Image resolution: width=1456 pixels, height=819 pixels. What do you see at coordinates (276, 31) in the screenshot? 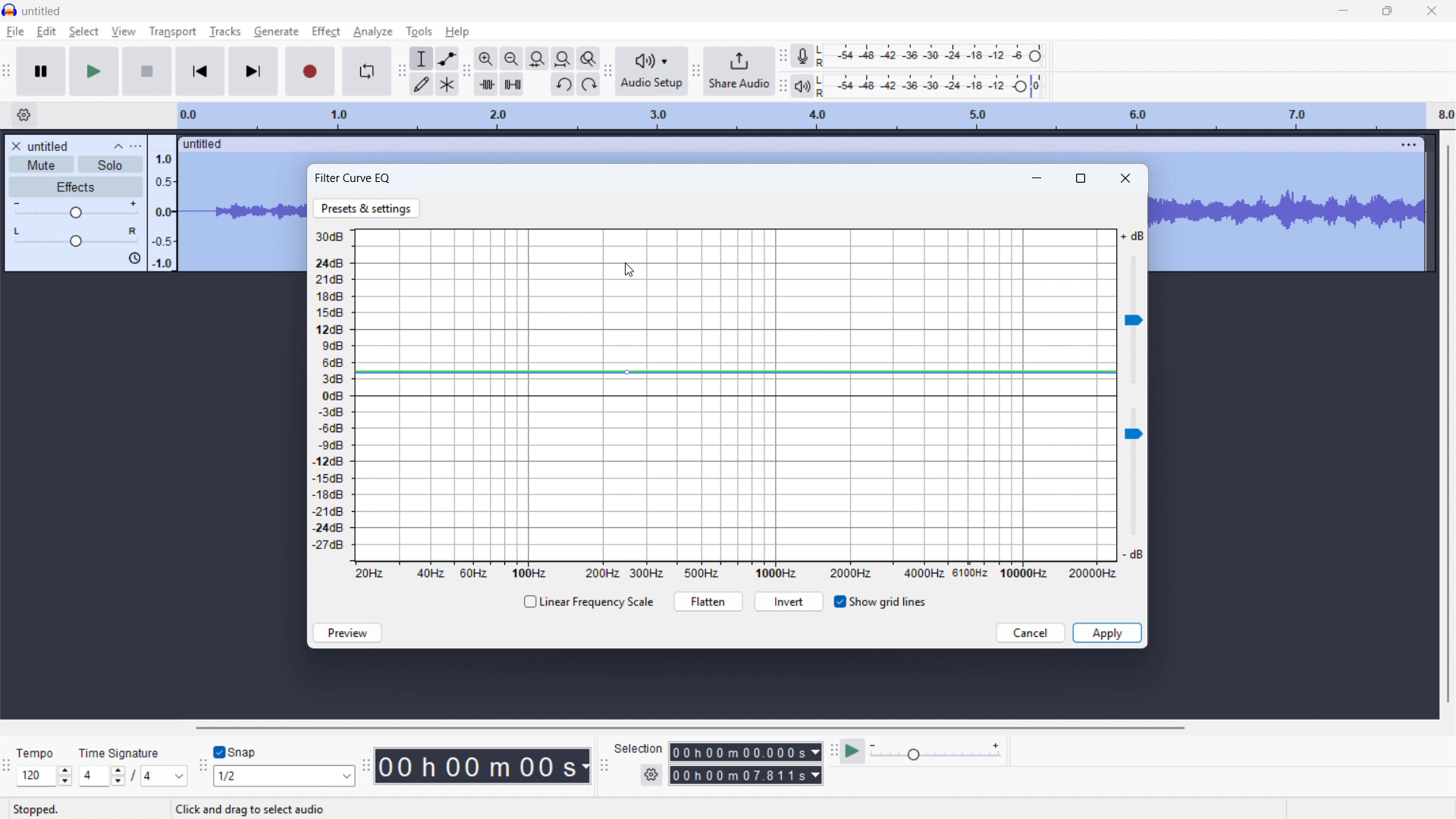
I see `generate` at bounding box center [276, 31].